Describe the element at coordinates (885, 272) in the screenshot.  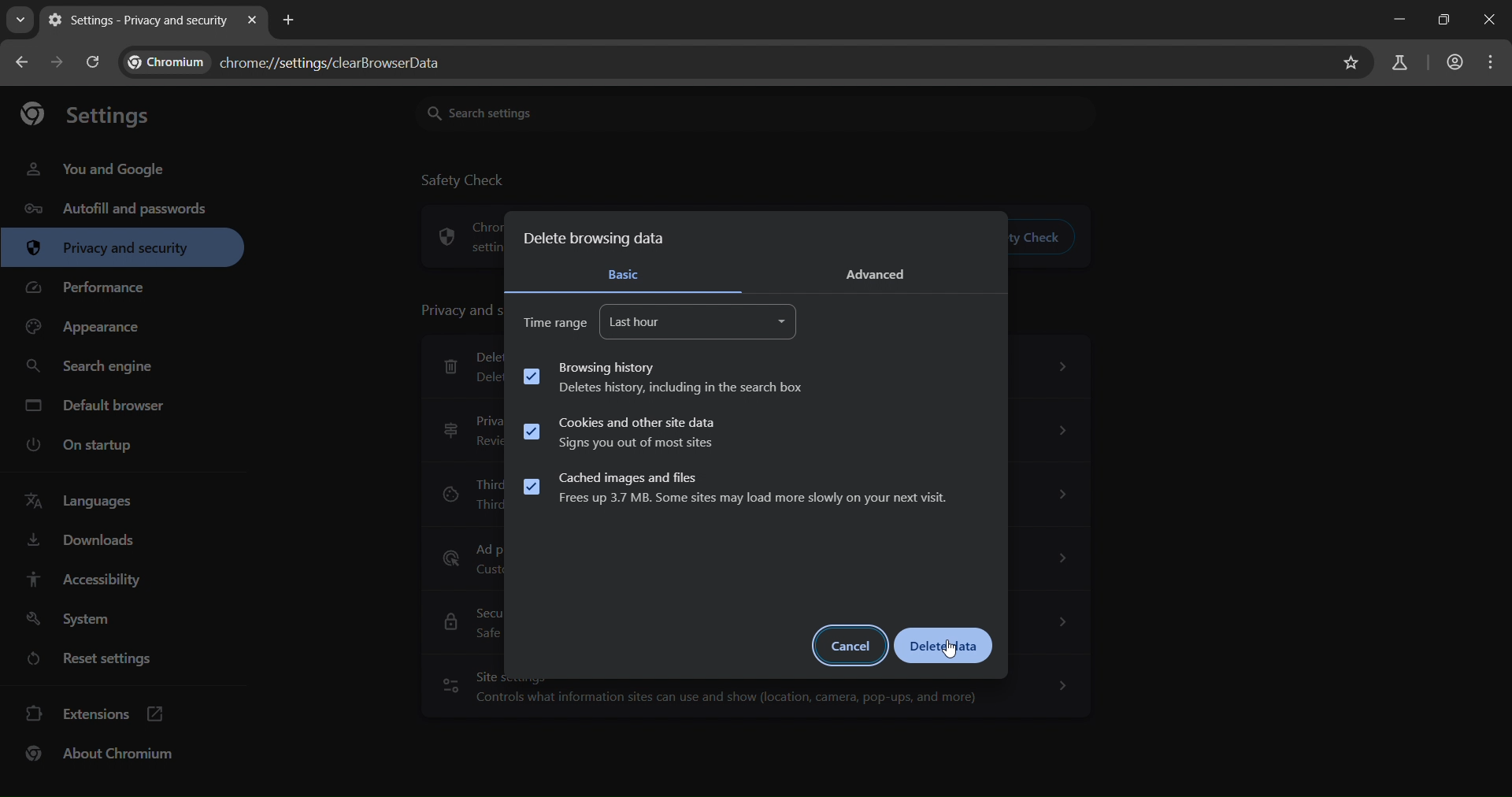
I see `advanced` at that location.